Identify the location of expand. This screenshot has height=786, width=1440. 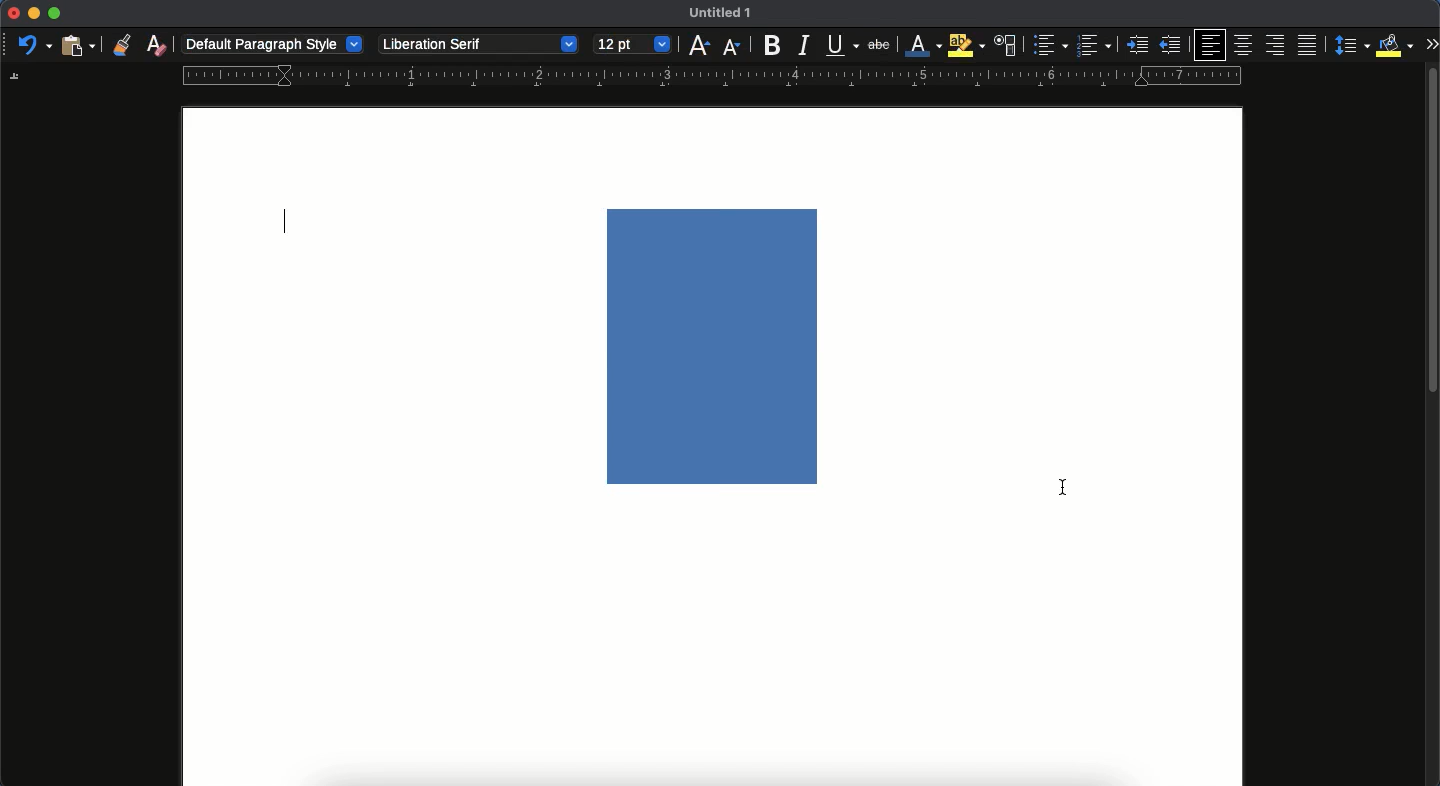
(1426, 44).